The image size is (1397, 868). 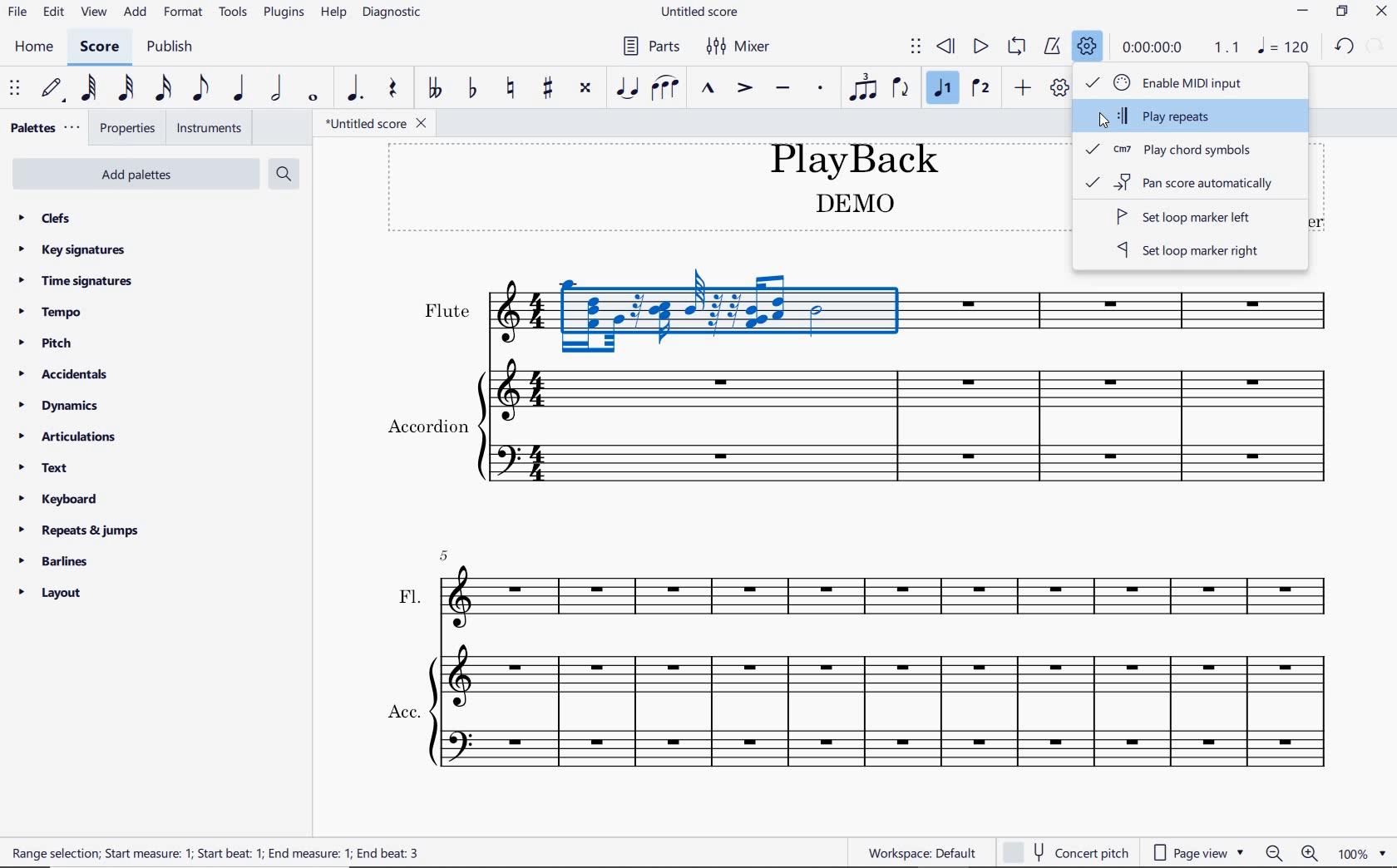 What do you see at coordinates (392, 89) in the screenshot?
I see `rest` at bounding box center [392, 89].